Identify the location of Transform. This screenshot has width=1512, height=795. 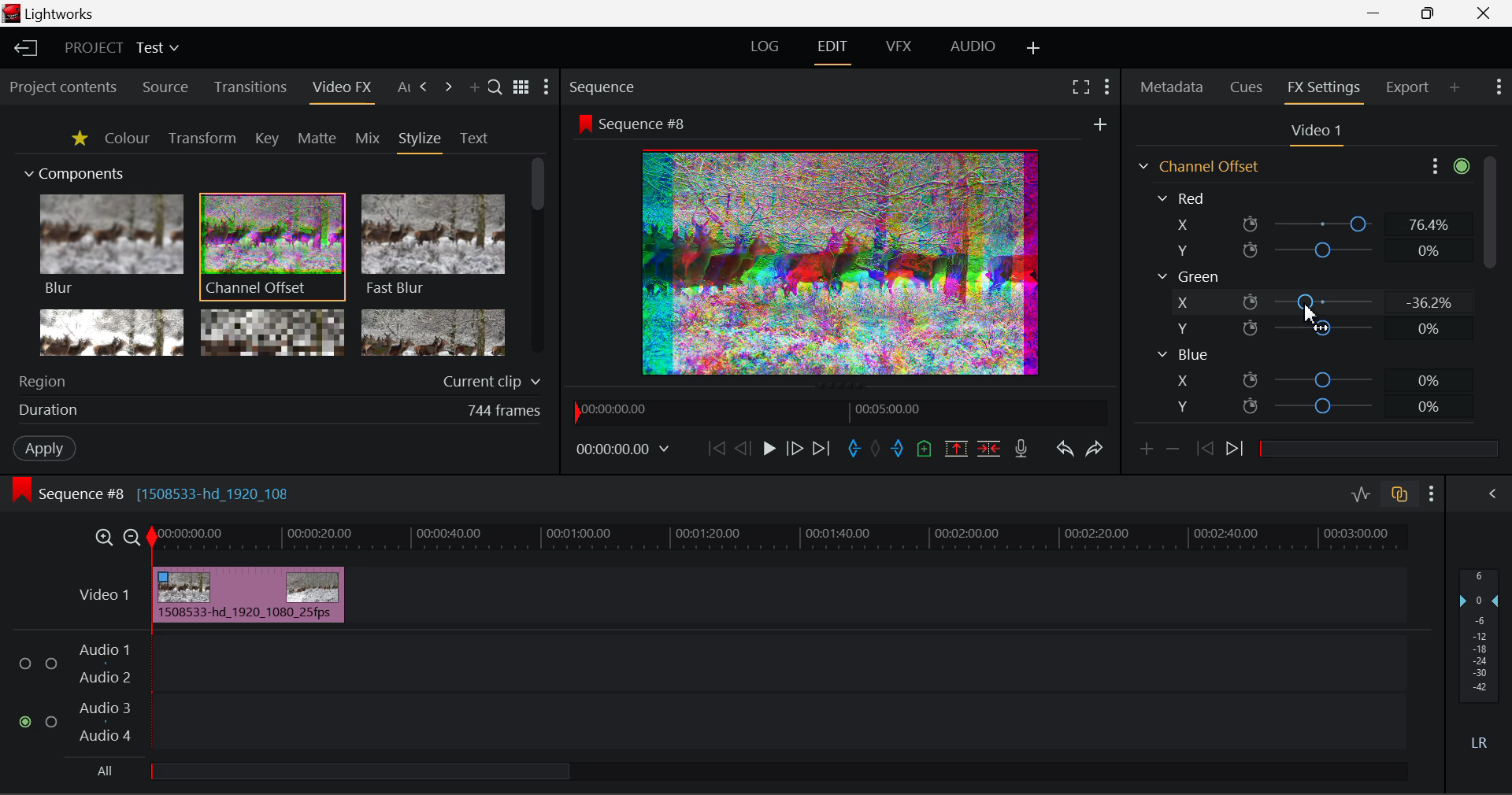
(202, 139).